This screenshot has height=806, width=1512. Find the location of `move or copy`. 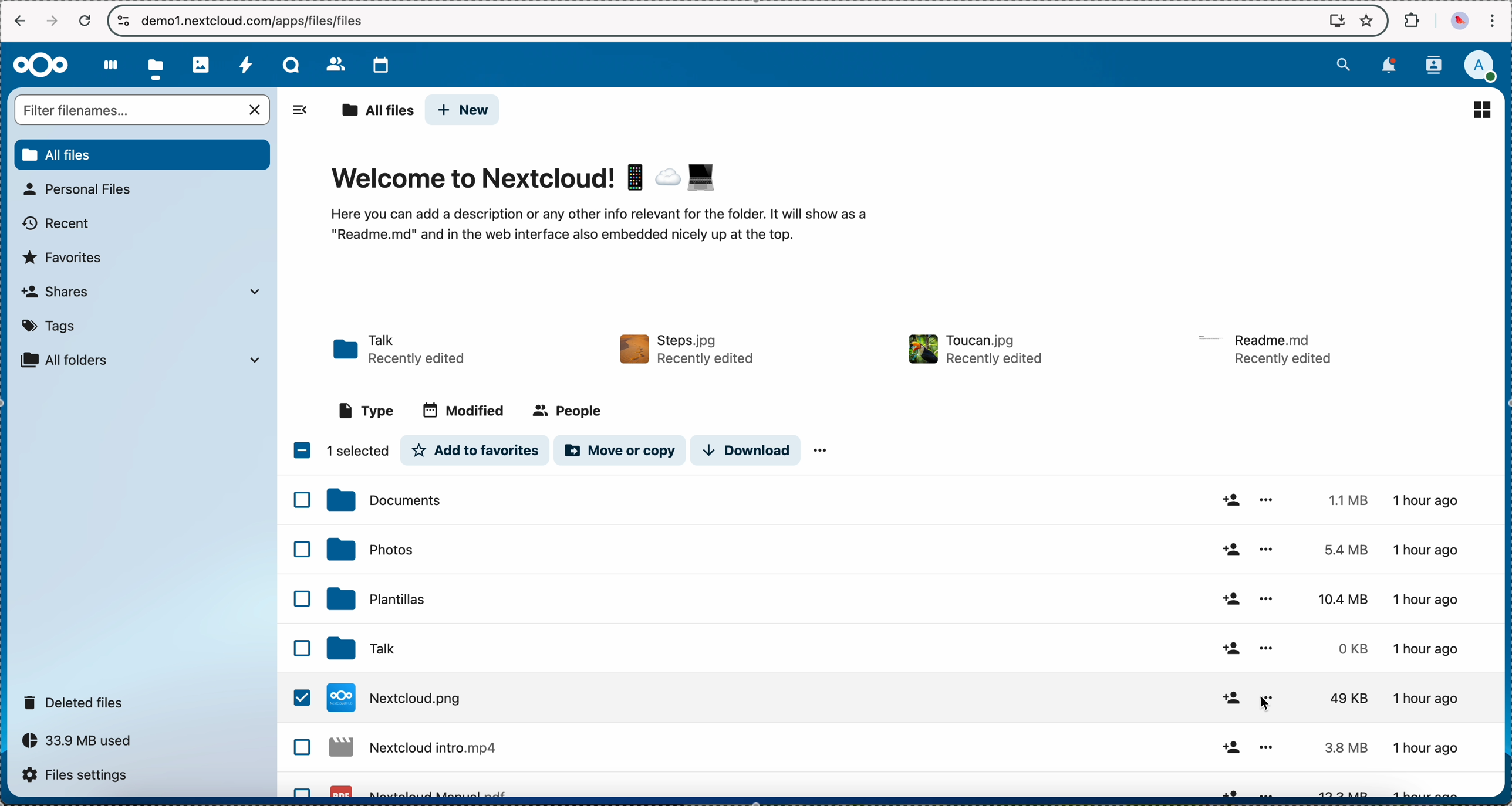

move or copy is located at coordinates (618, 451).